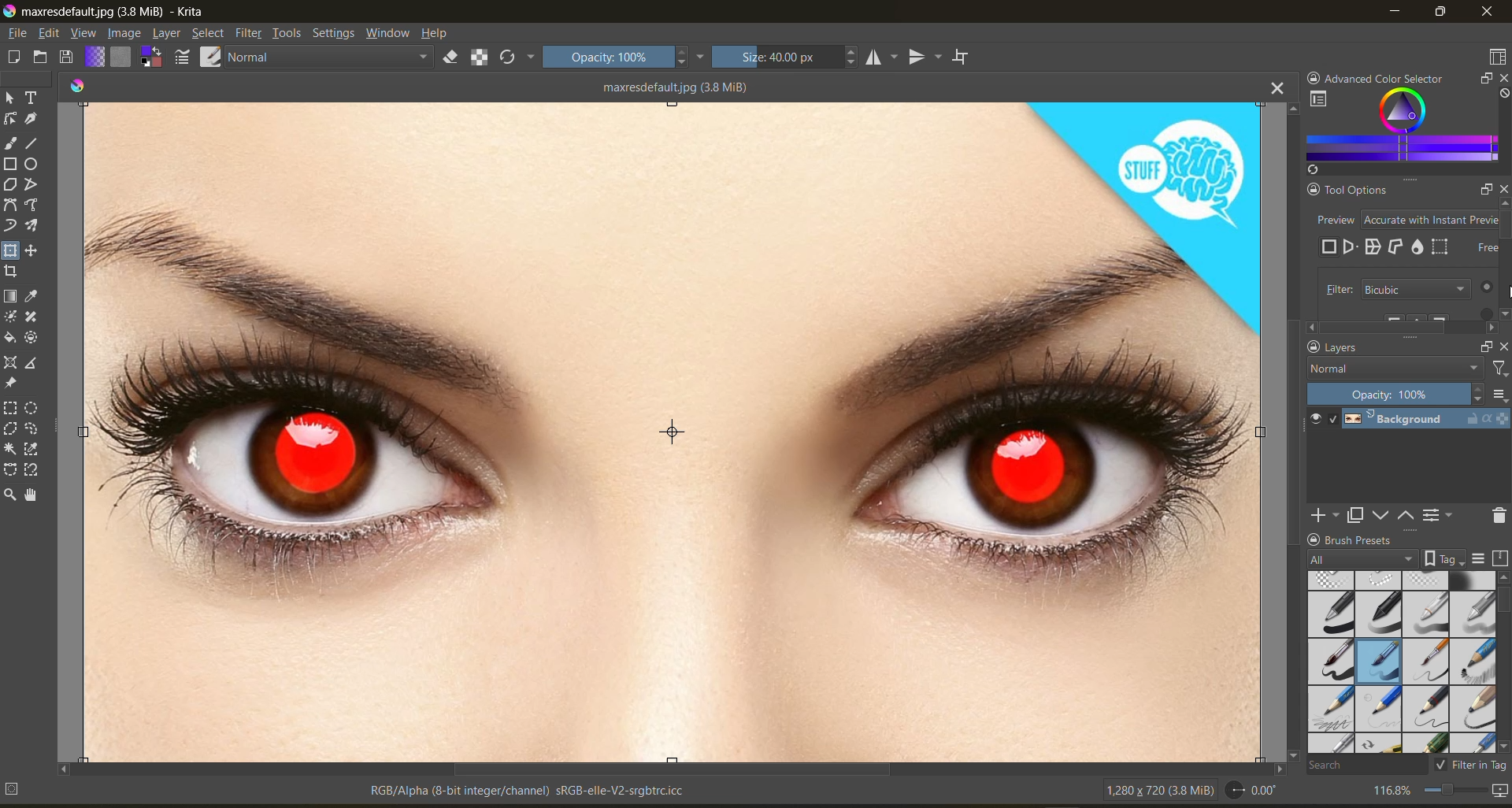  What do you see at coordinates (1397, 246) in the screenshot?
I see `cage` at bounding box center [1397, 246].